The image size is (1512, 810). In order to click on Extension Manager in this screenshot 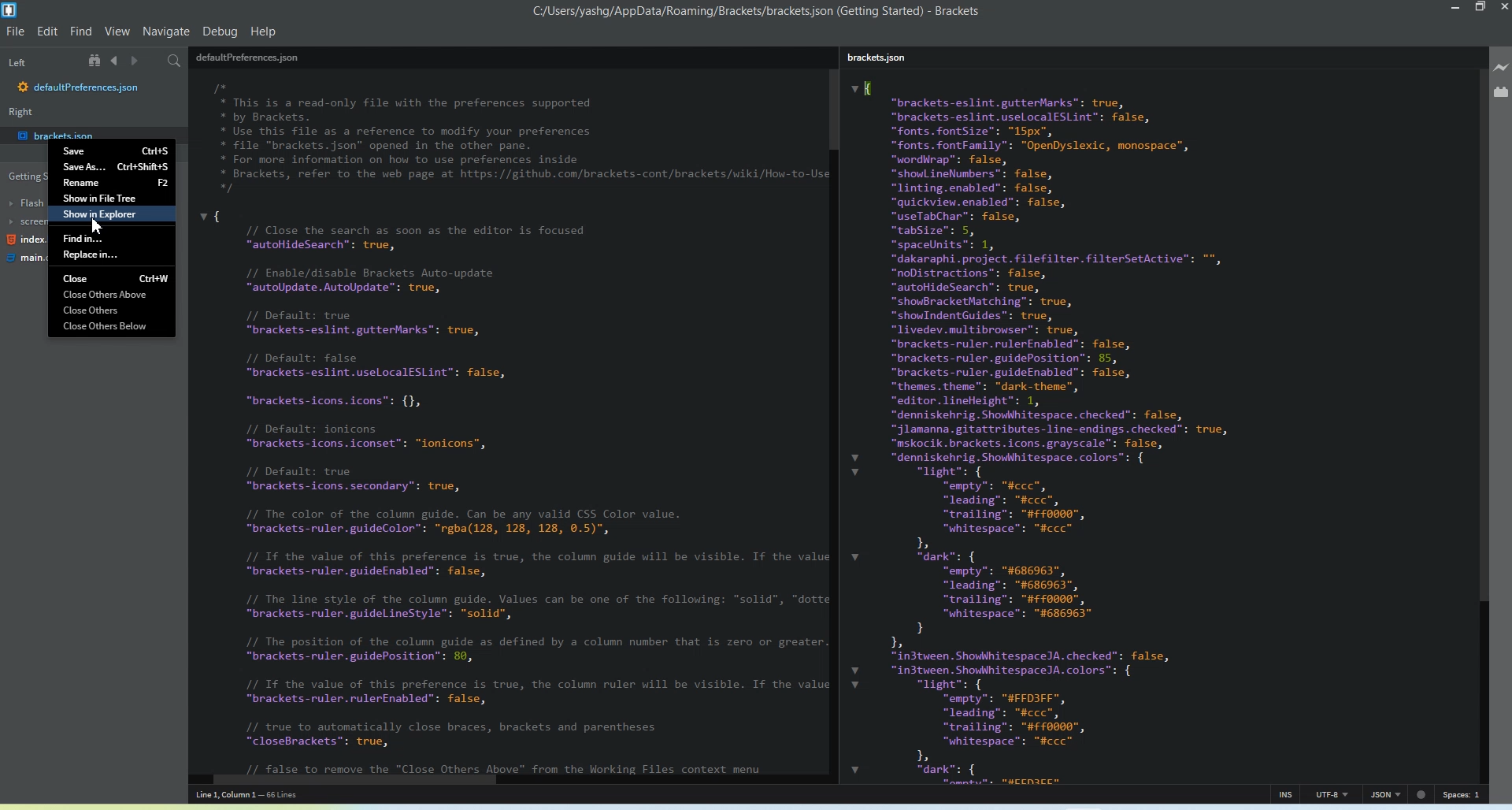, I will do `click(1500, 91)`.